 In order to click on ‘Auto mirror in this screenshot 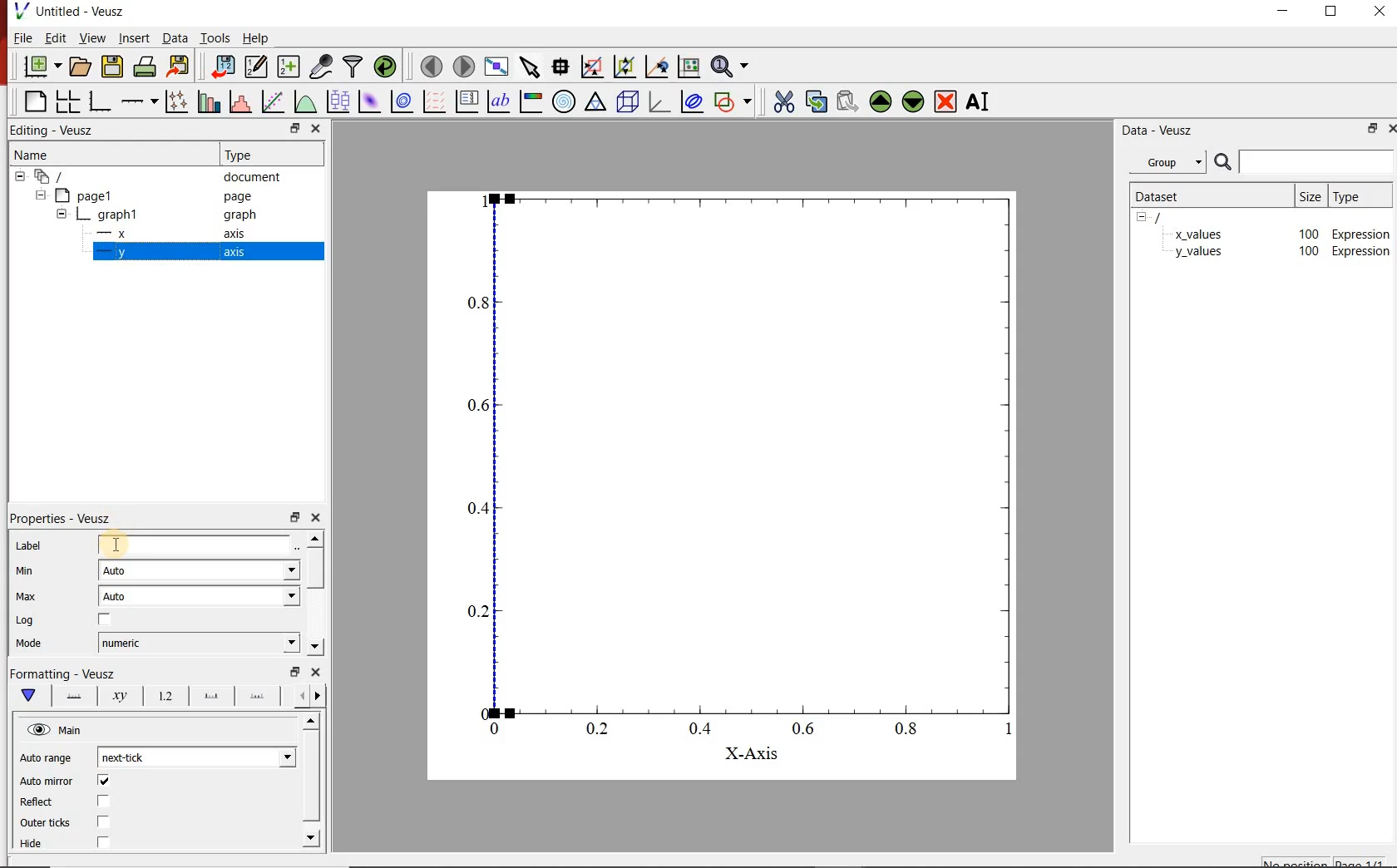, I will do `click(48, 780)`.